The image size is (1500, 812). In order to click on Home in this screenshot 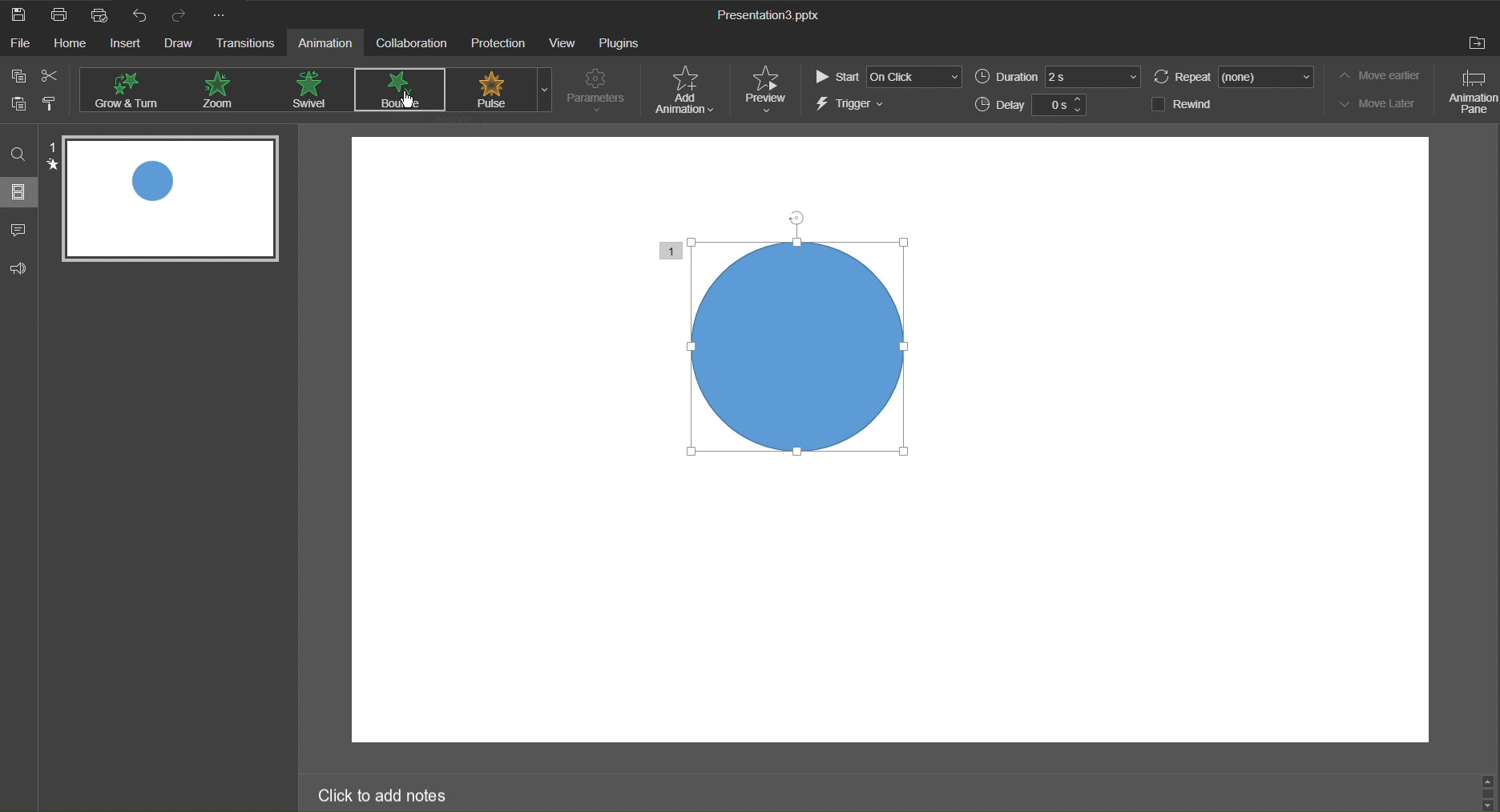, I will do `click(75, 44)`.